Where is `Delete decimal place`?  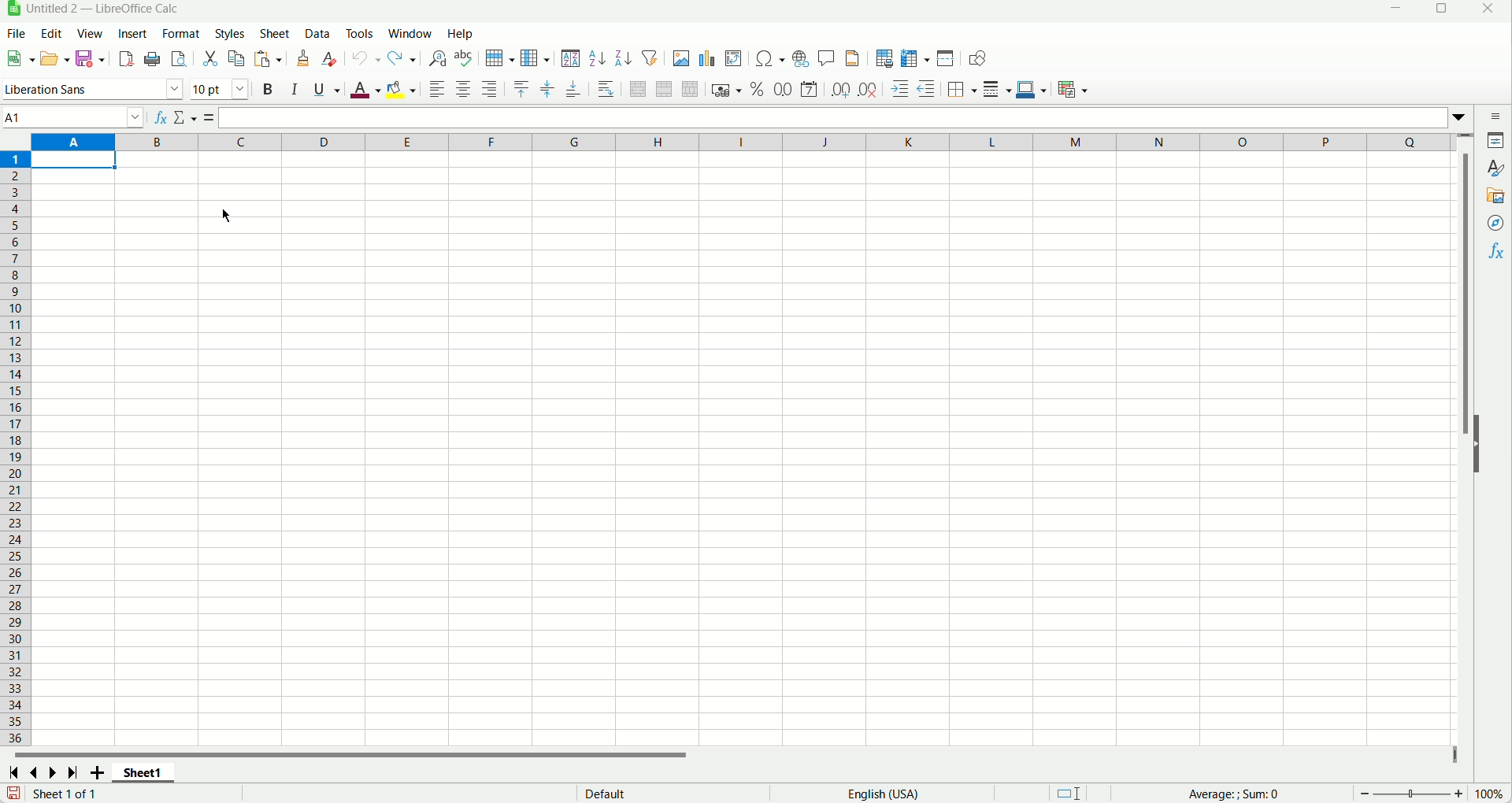
Delete decimal place is located at coordinates (868, 91).